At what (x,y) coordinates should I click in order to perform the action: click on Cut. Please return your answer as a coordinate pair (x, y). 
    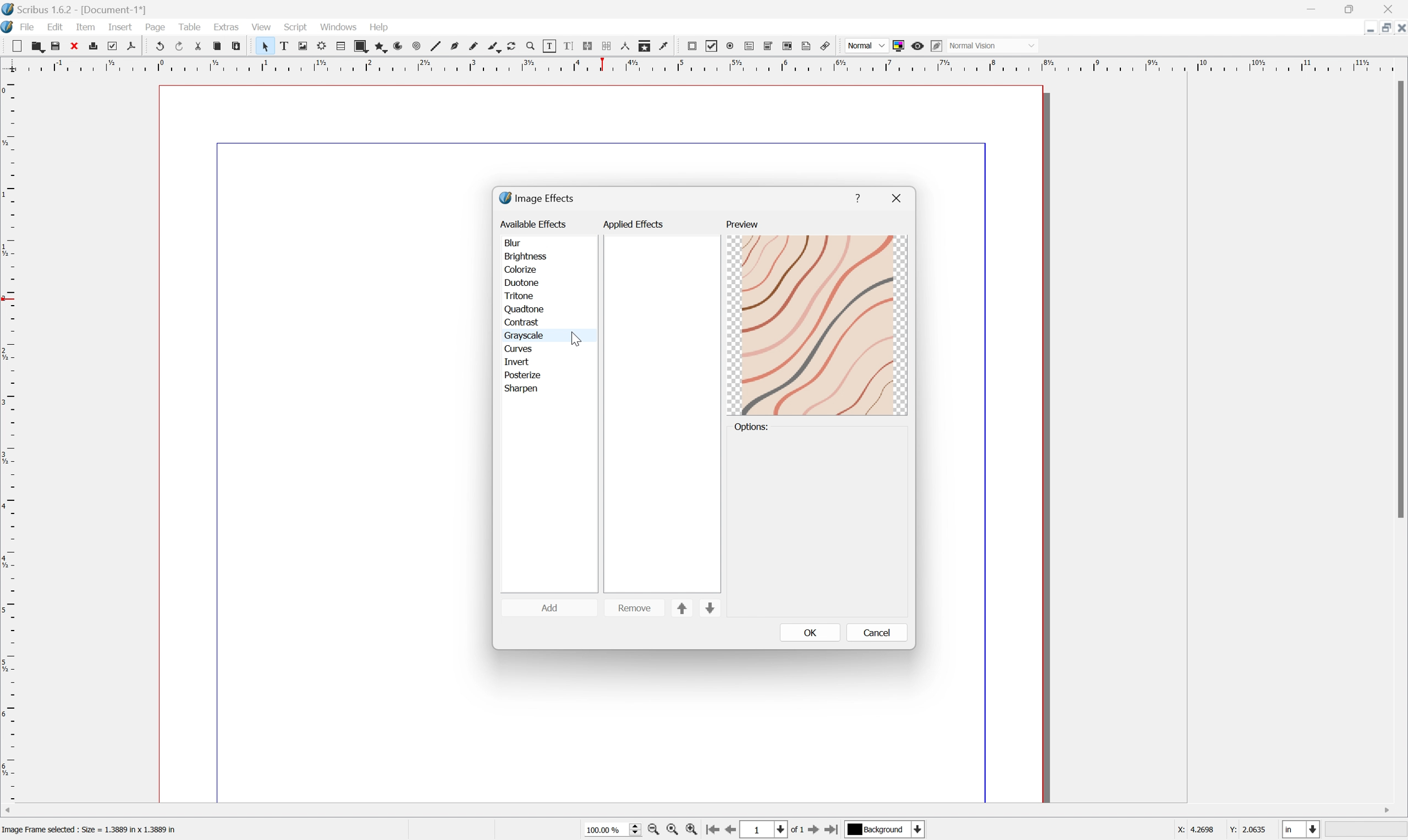
    Looking at the image, I should click on (203, 48).